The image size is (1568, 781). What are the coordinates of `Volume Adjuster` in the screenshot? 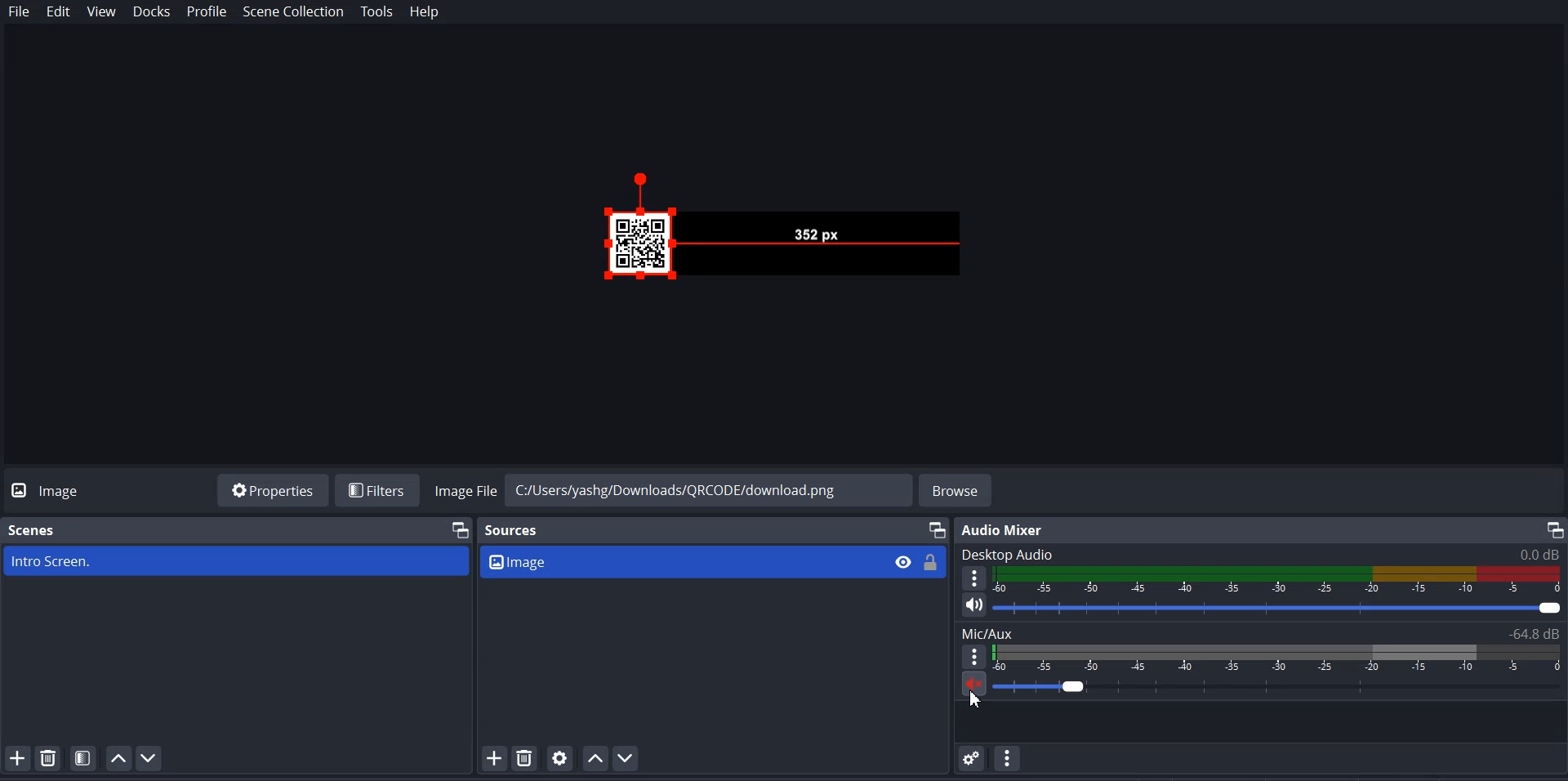 It's located at (1279, 609).